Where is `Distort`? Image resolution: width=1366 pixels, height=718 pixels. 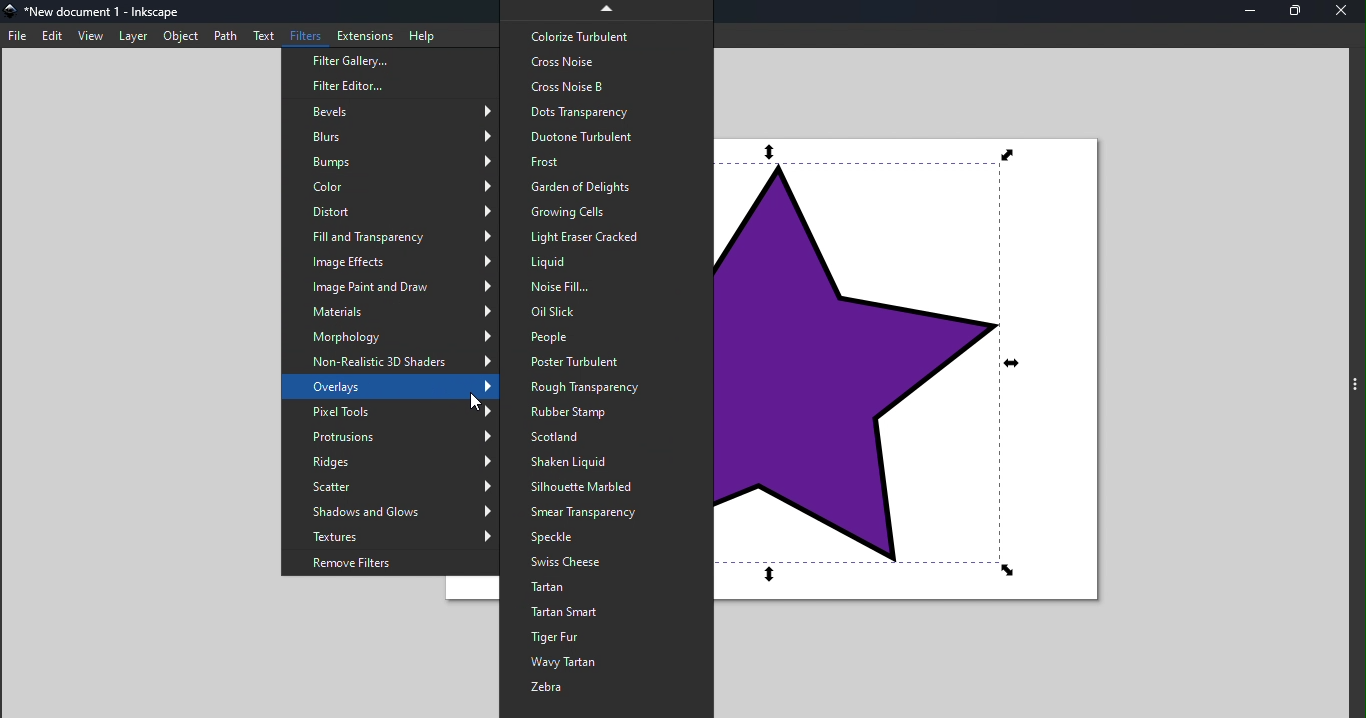 Distort is located at coordinates (394, 213).